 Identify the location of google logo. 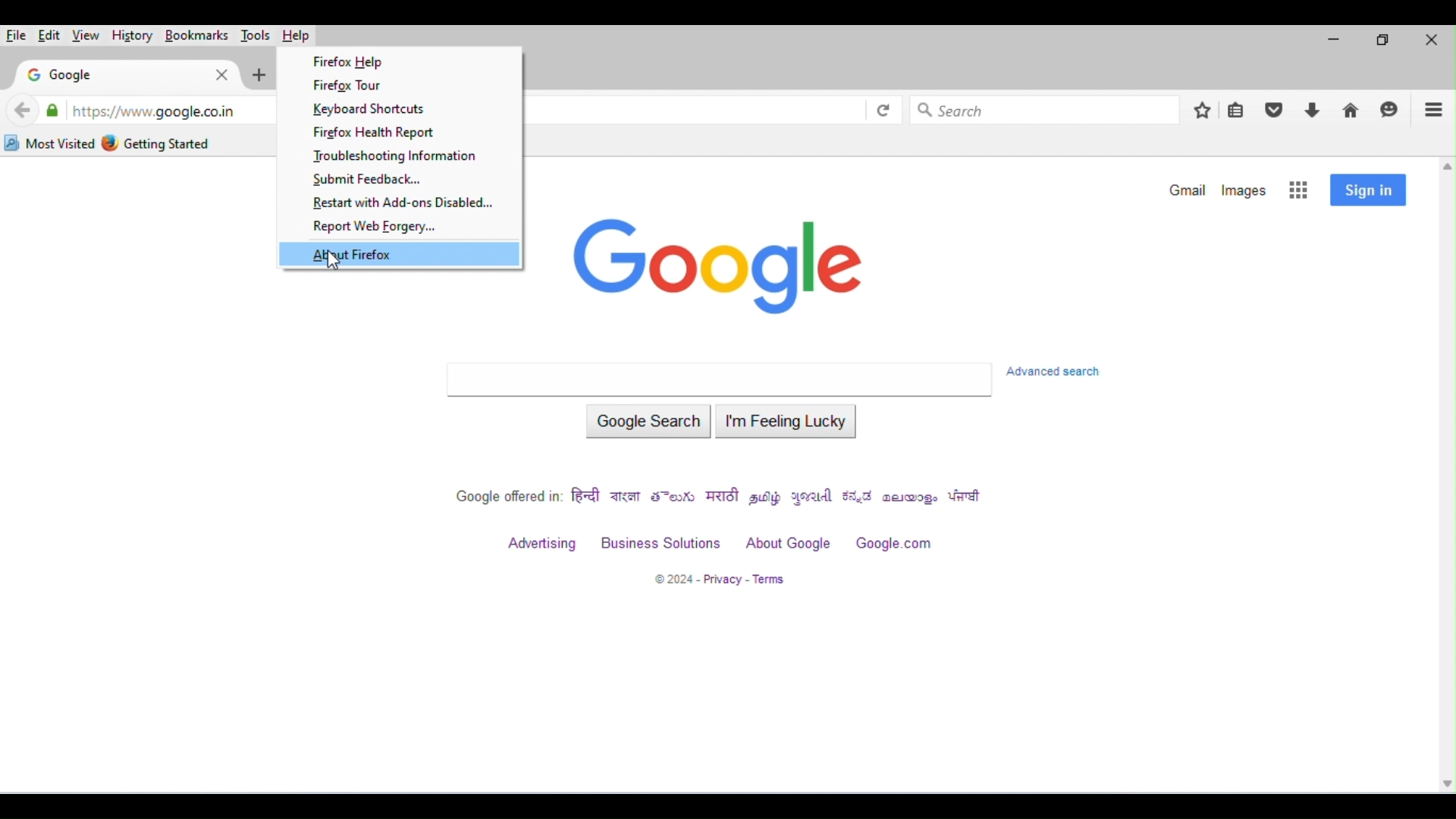
(725, 268).